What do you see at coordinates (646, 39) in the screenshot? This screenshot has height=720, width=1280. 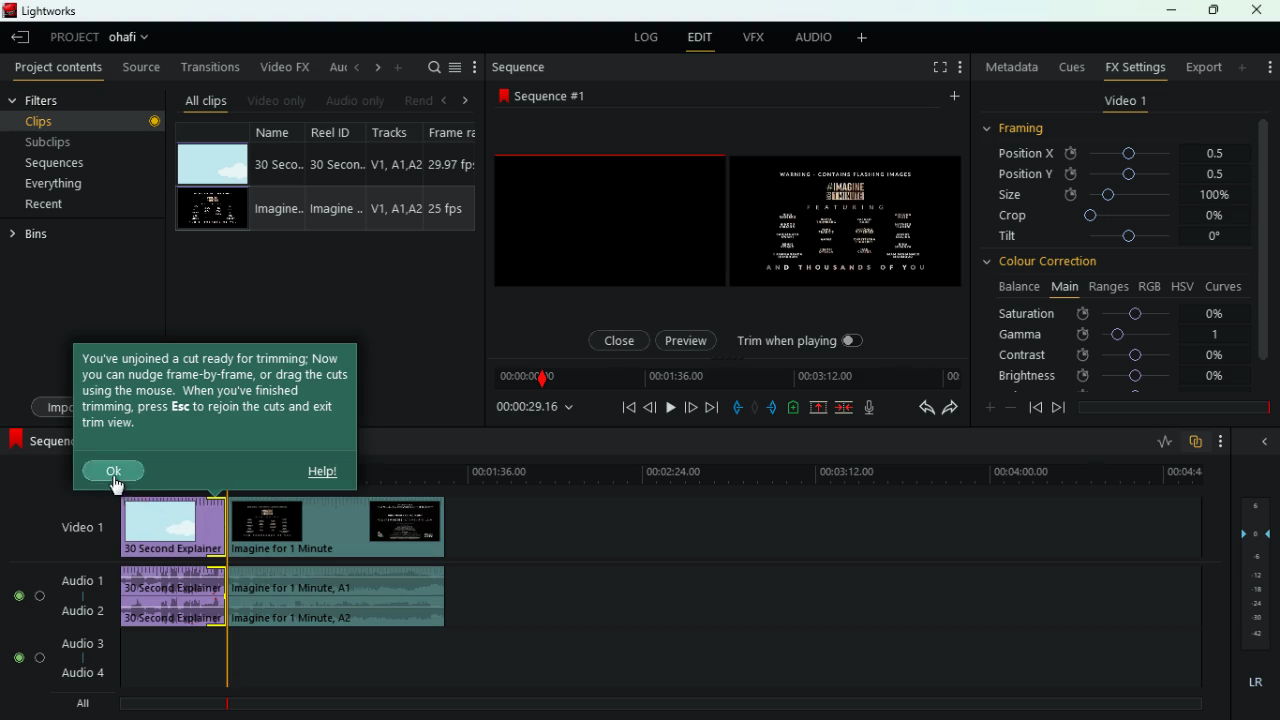 I see `log` at bounding box center [646, 39].